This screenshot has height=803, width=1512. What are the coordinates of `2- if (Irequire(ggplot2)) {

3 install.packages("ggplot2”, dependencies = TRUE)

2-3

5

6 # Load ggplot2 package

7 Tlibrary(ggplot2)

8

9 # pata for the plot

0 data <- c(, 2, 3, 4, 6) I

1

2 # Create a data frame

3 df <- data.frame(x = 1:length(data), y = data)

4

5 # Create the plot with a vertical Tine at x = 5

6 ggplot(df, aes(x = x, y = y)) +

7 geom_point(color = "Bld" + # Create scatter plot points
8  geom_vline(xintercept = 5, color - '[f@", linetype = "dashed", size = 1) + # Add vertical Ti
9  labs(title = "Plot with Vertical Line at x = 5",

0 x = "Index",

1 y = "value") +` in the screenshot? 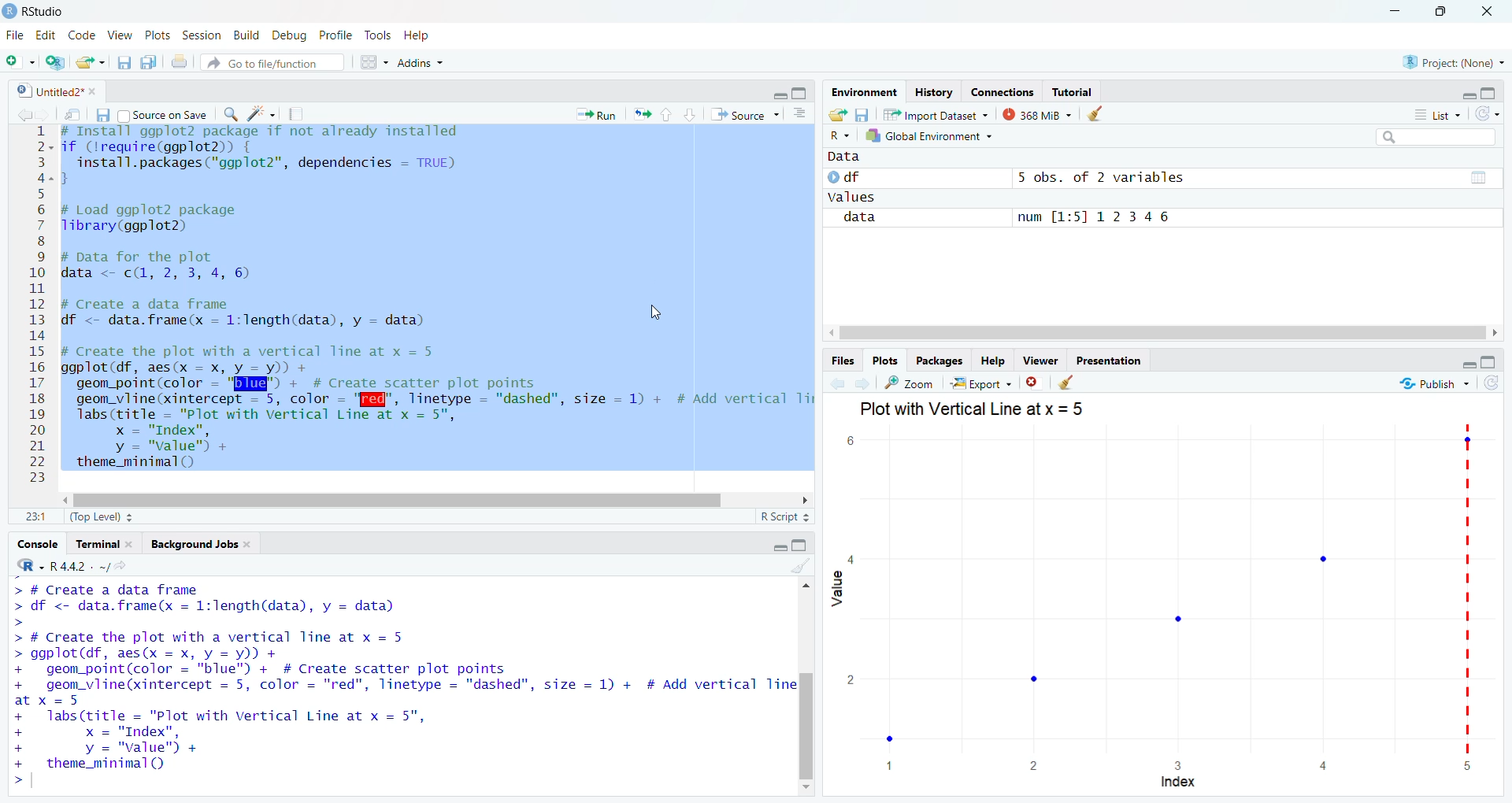 It's located at (421, 305).